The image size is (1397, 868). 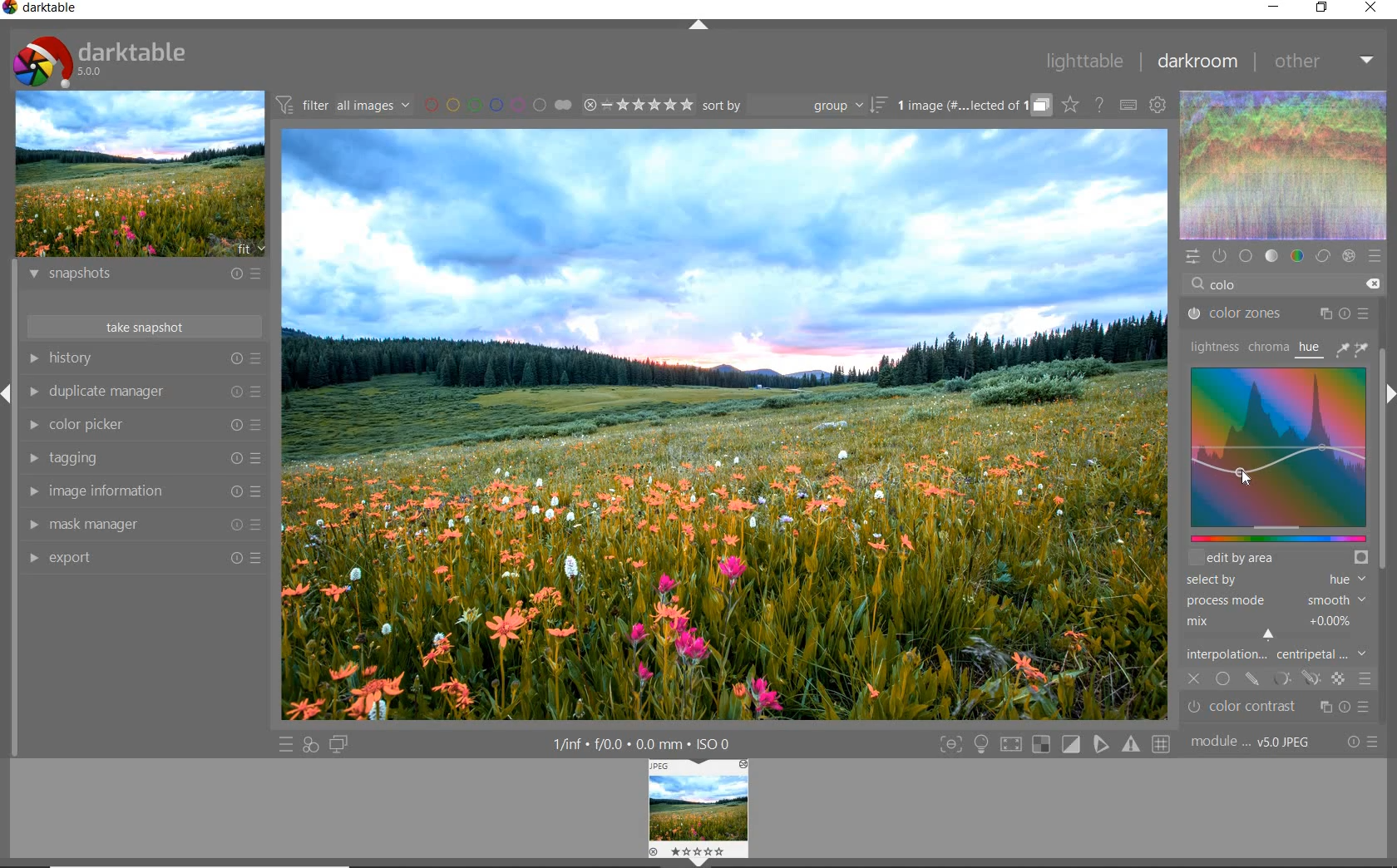 I want to click on delete, so click(x=1373, y=284).